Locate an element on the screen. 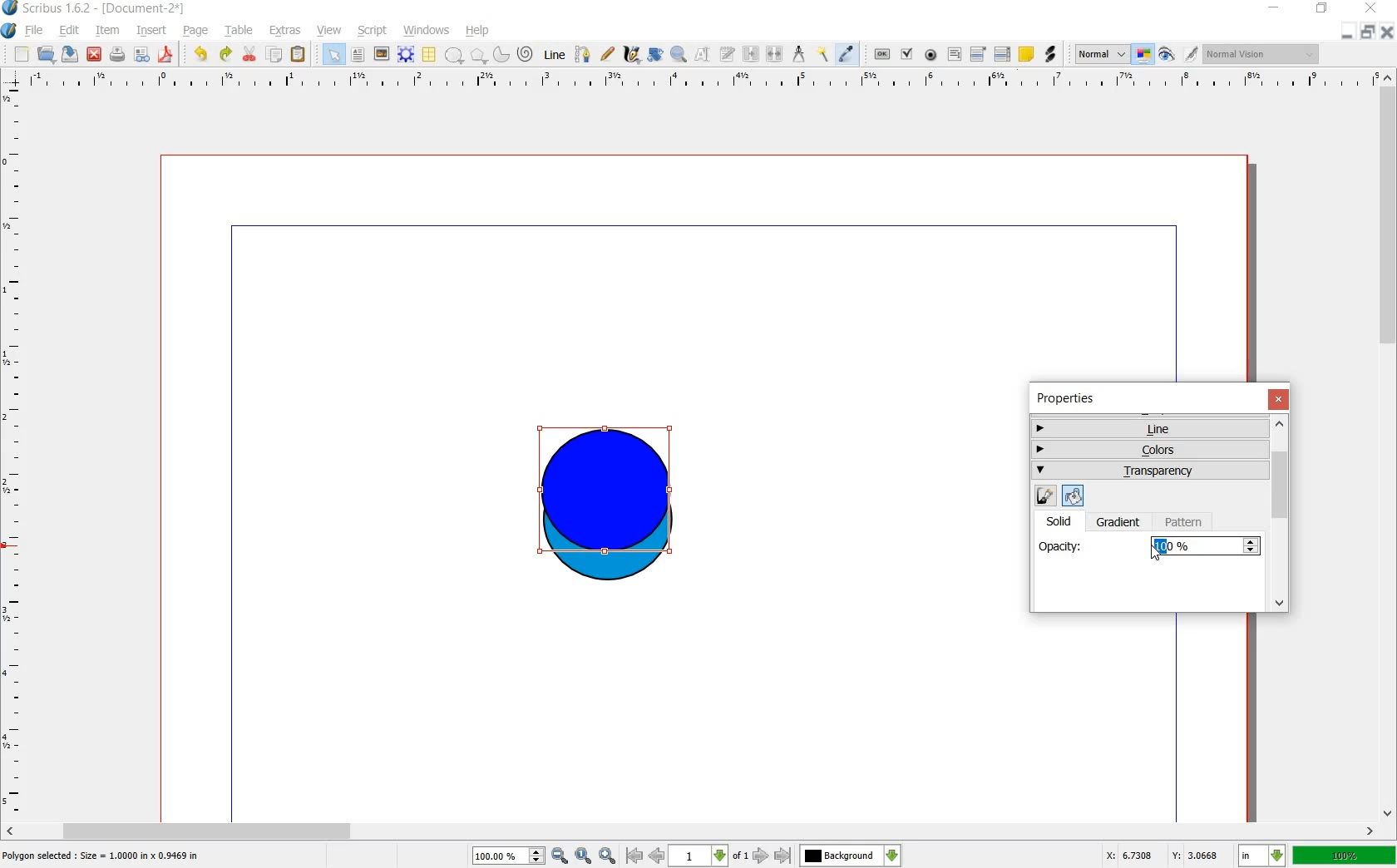  line is located at coordinates (553, 56).